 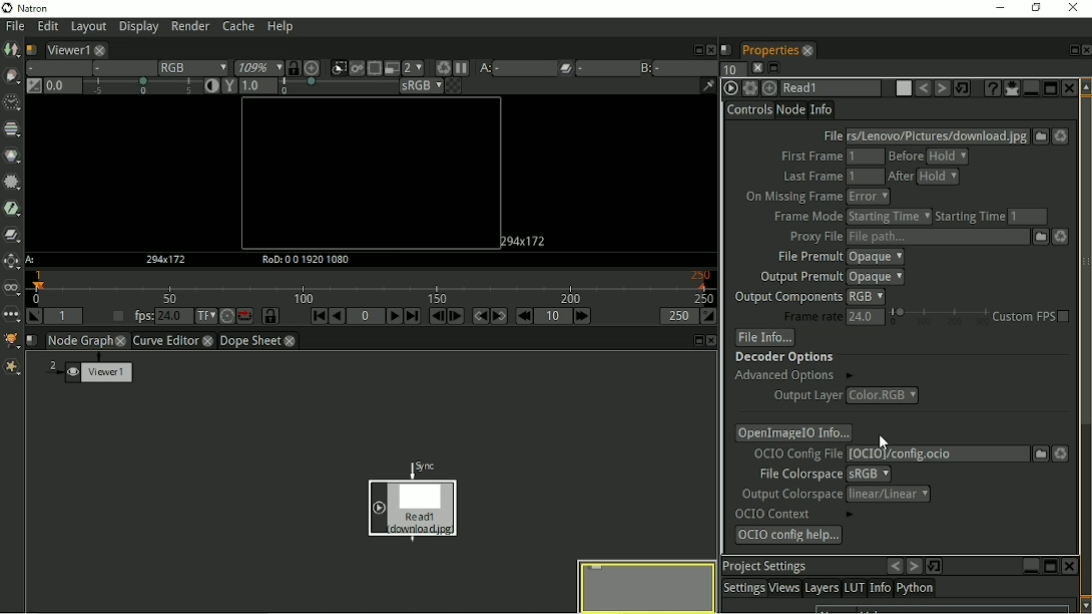 I want to click on Set playback out point, so click(x=708, y=315).